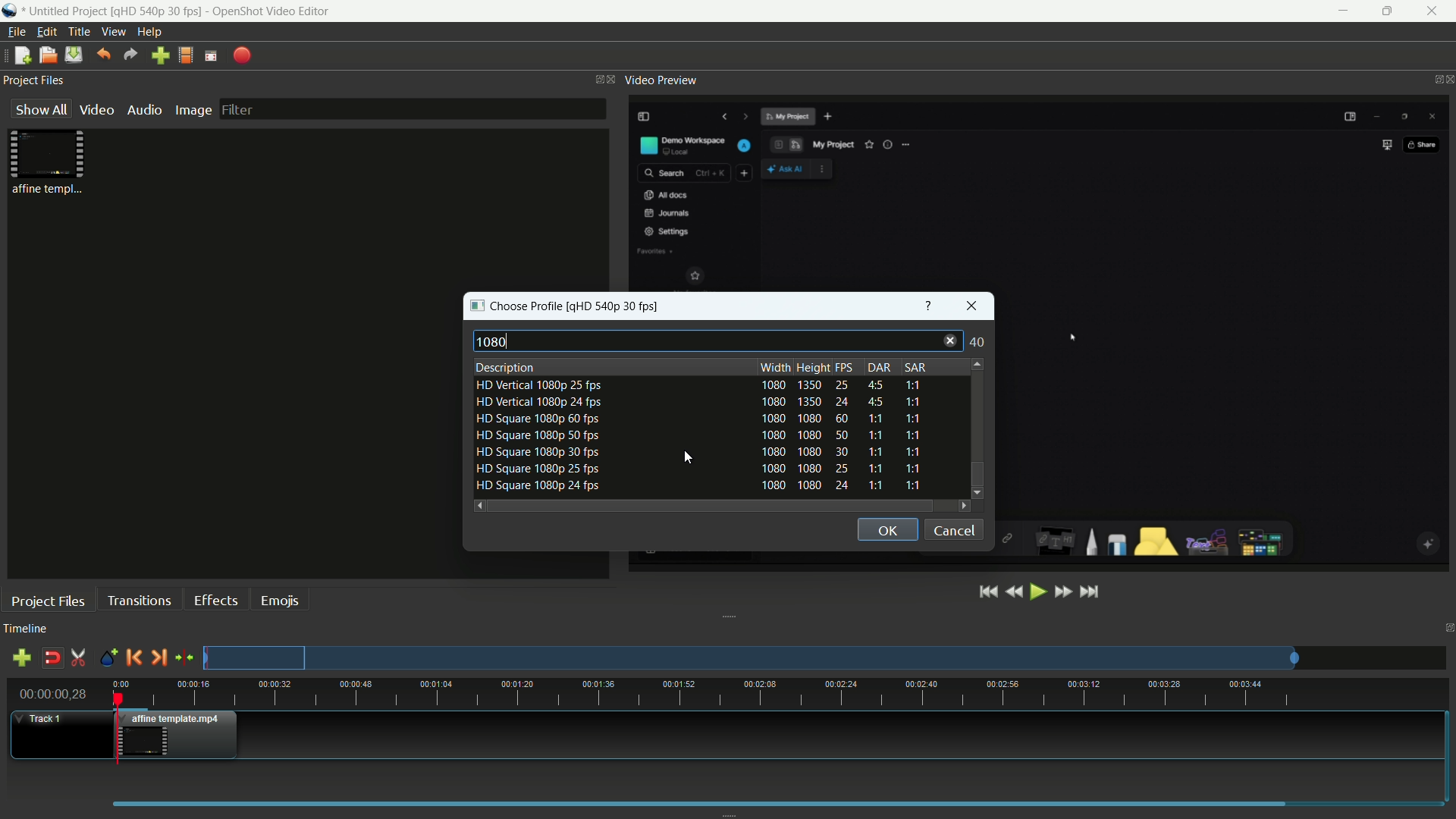 This screenshot has height=819, width=1456. What do you see at coordinates (1014, 593) in the screenshot?
I see `rewind` at bounding box center [1014, 593].